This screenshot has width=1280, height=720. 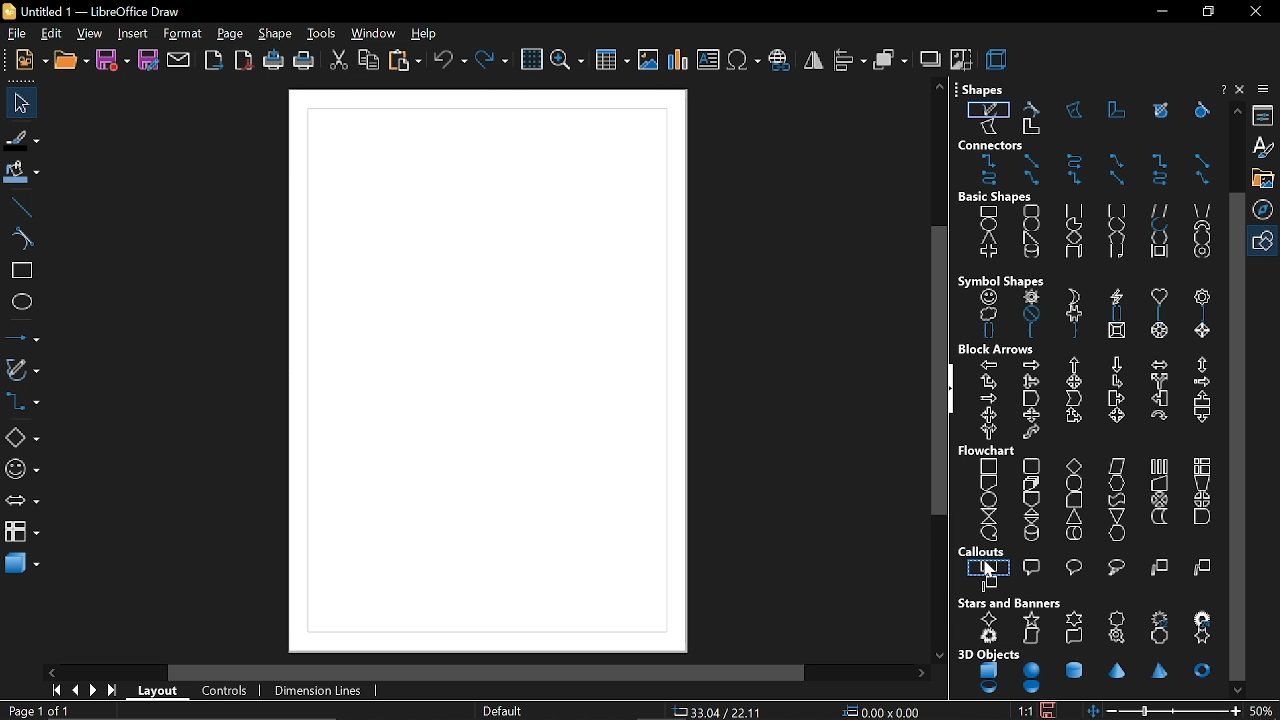 I want to click on parallelogram, so click(x=1160, y=210).